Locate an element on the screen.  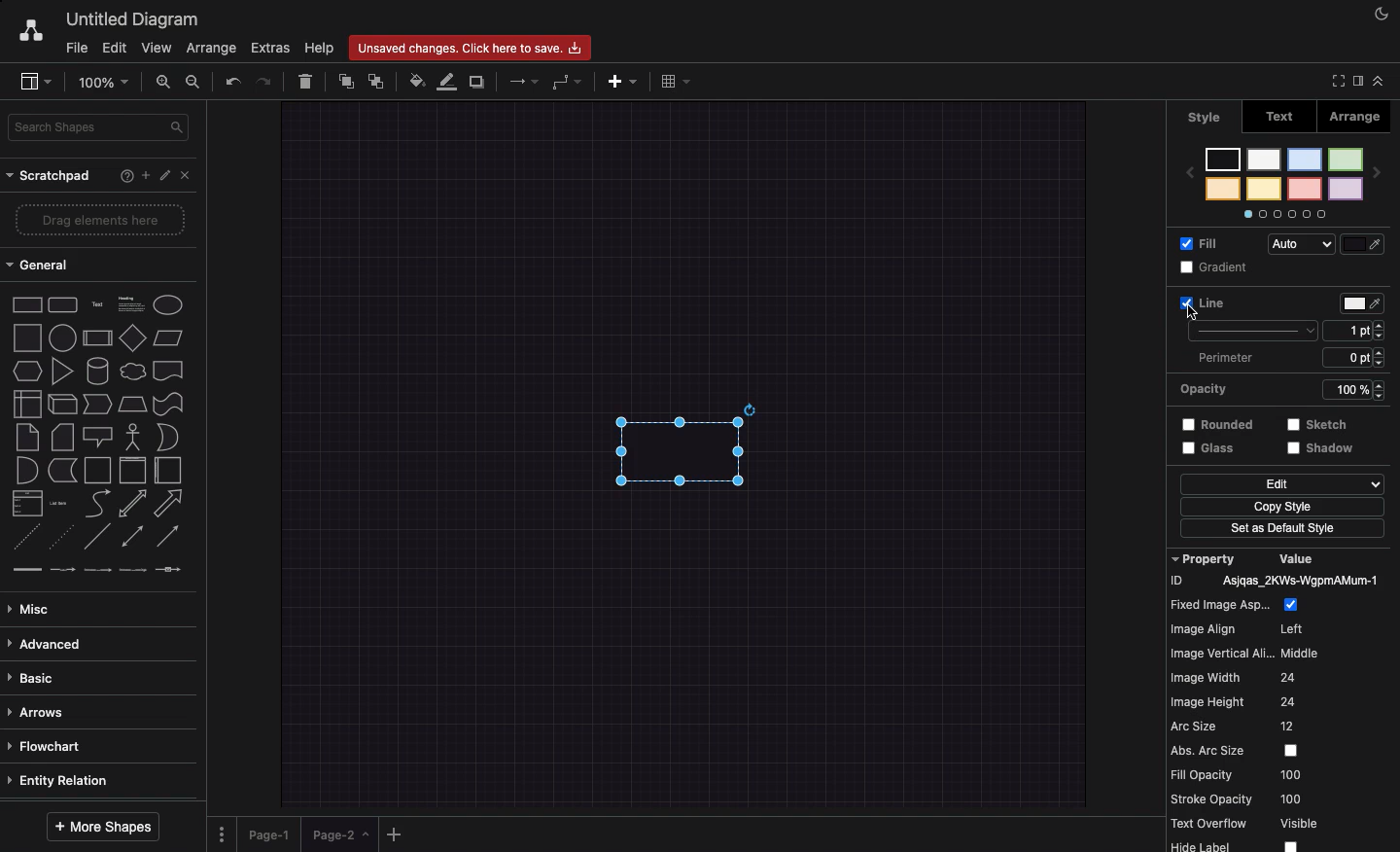
Arrows is located at coordinates (41, 710).